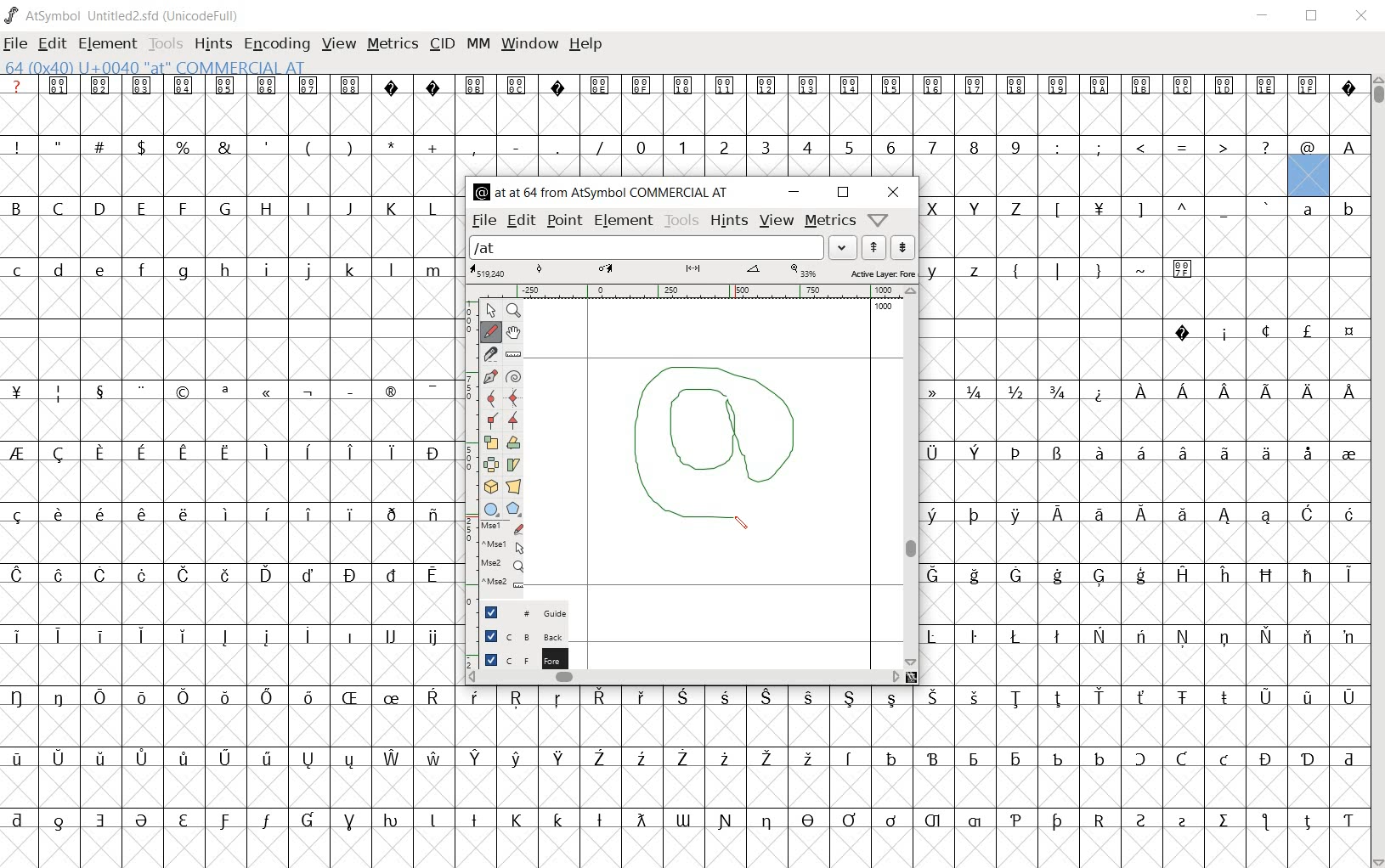  What do you see at coordinates (684, 678) in the screenshot?
I see `scrollbar` at bounding box center [684, 678].